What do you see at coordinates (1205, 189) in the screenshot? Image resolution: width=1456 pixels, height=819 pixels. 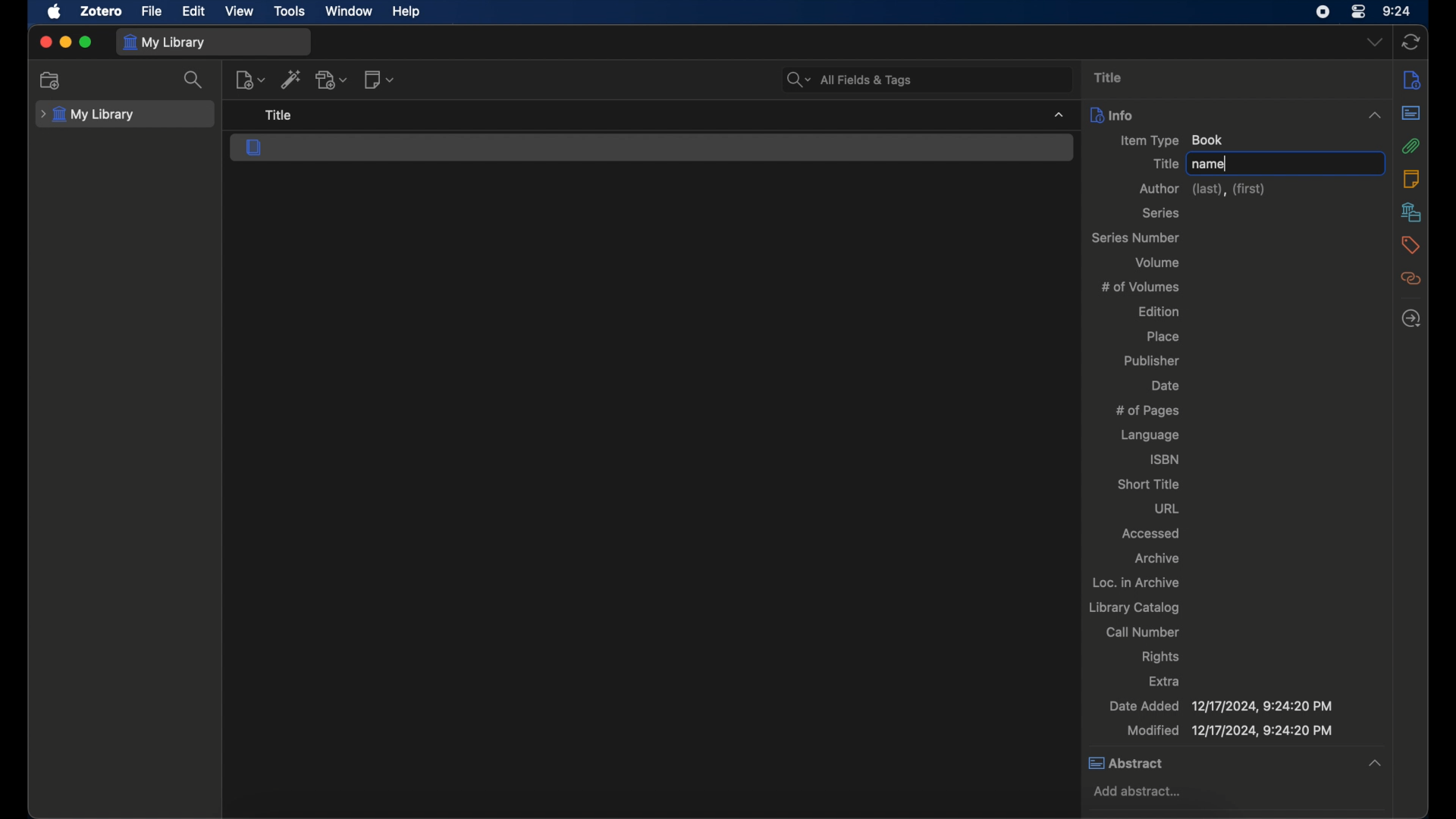 I see `author` at bounding box center [1205, 189].